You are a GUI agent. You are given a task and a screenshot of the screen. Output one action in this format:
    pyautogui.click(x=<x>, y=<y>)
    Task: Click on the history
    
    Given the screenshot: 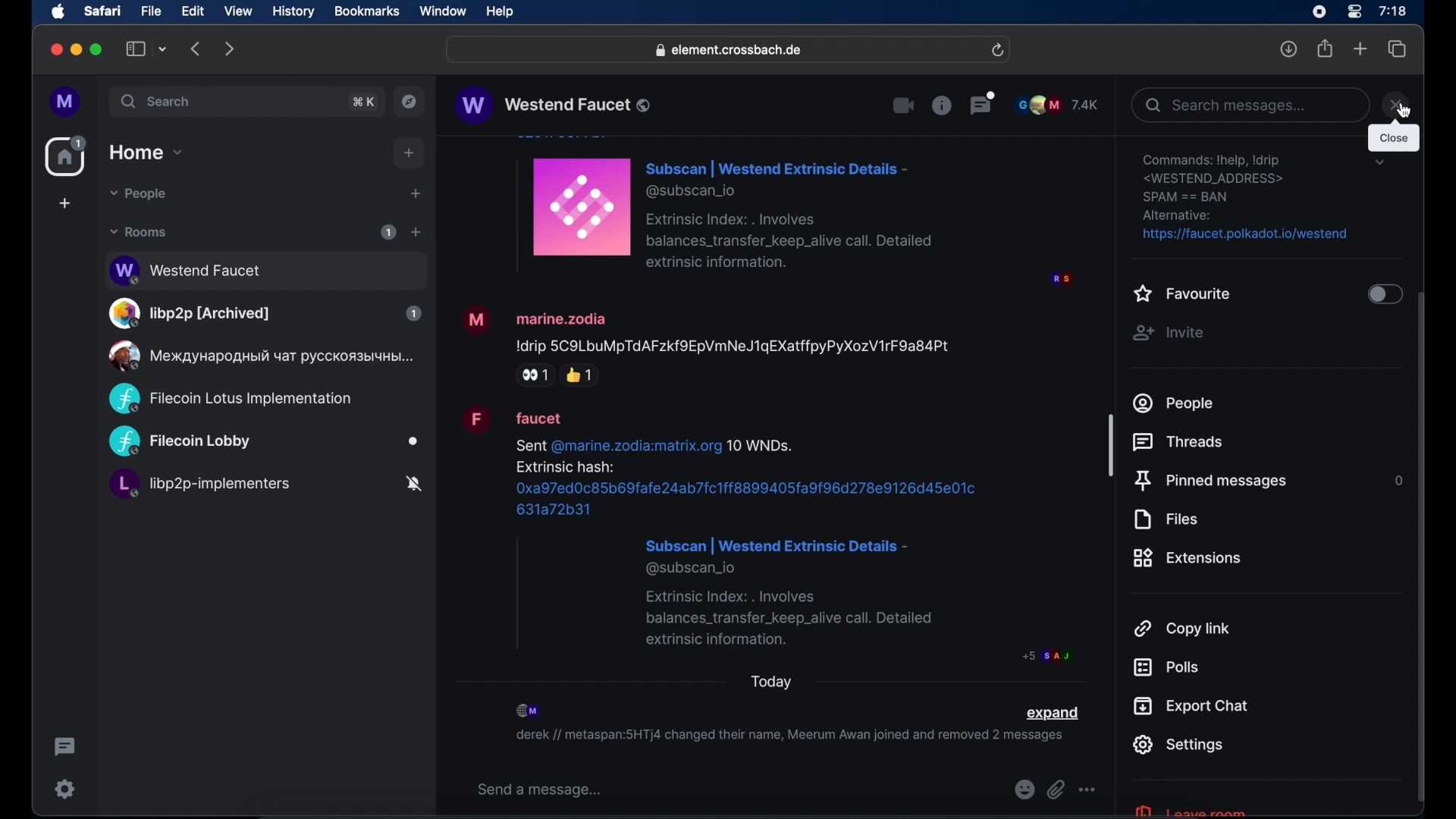 What is the action you would take?
    pyautogui.click(x=293, y=12)
    